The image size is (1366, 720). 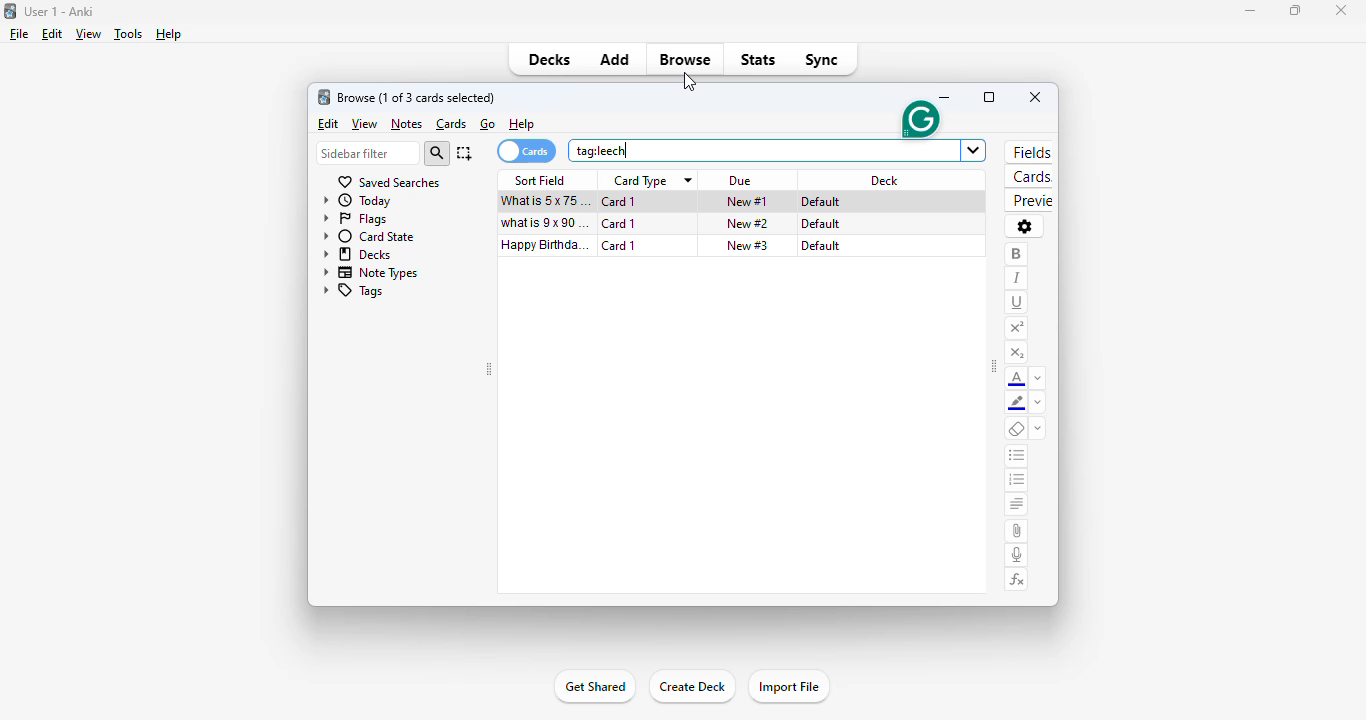 What do you see at coordinates (437, 153) in the screenshot?
I see `search` at bounding box center [437, 153].